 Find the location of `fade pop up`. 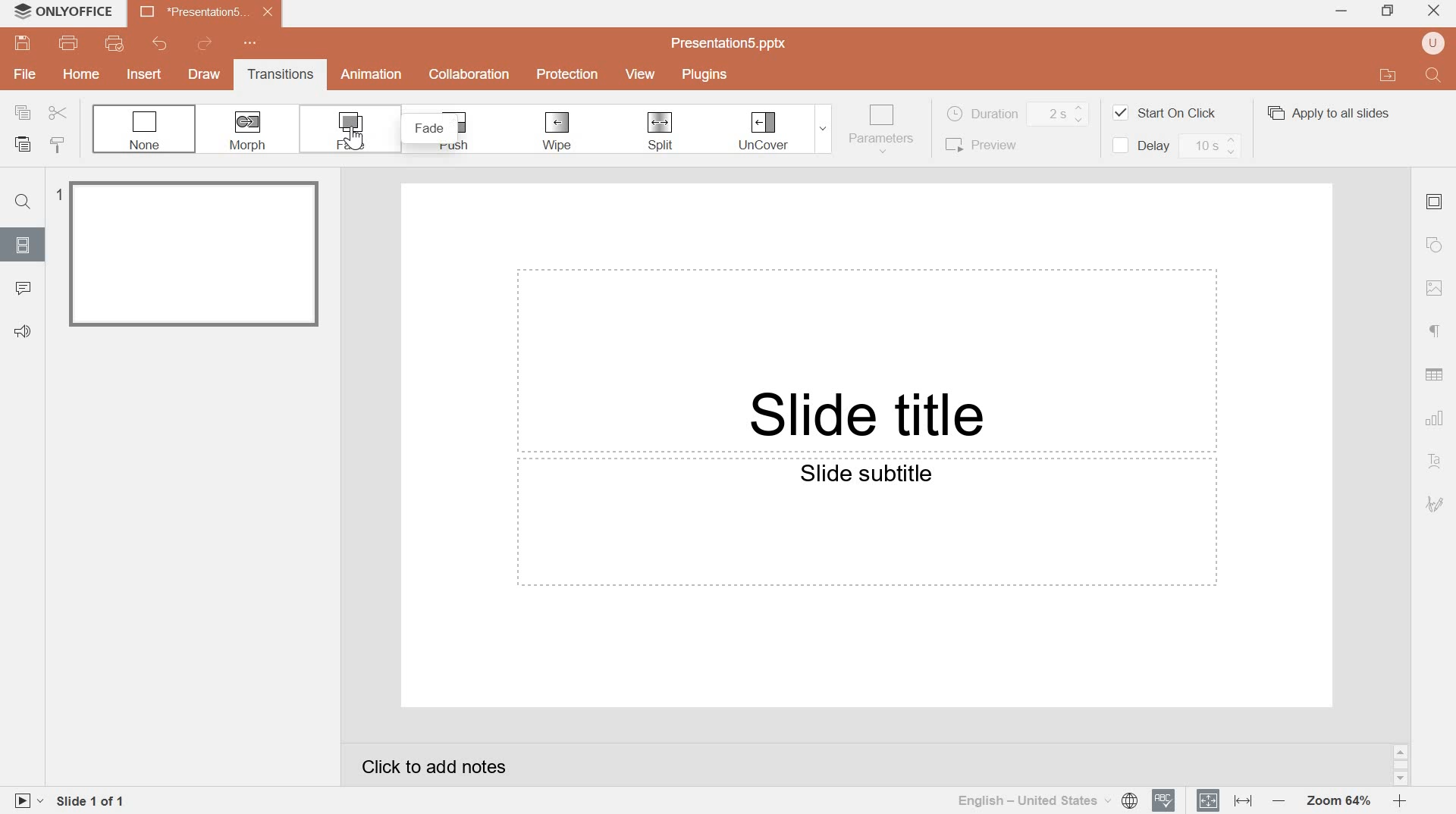

fade pop up is located at coordinates (428, 128).